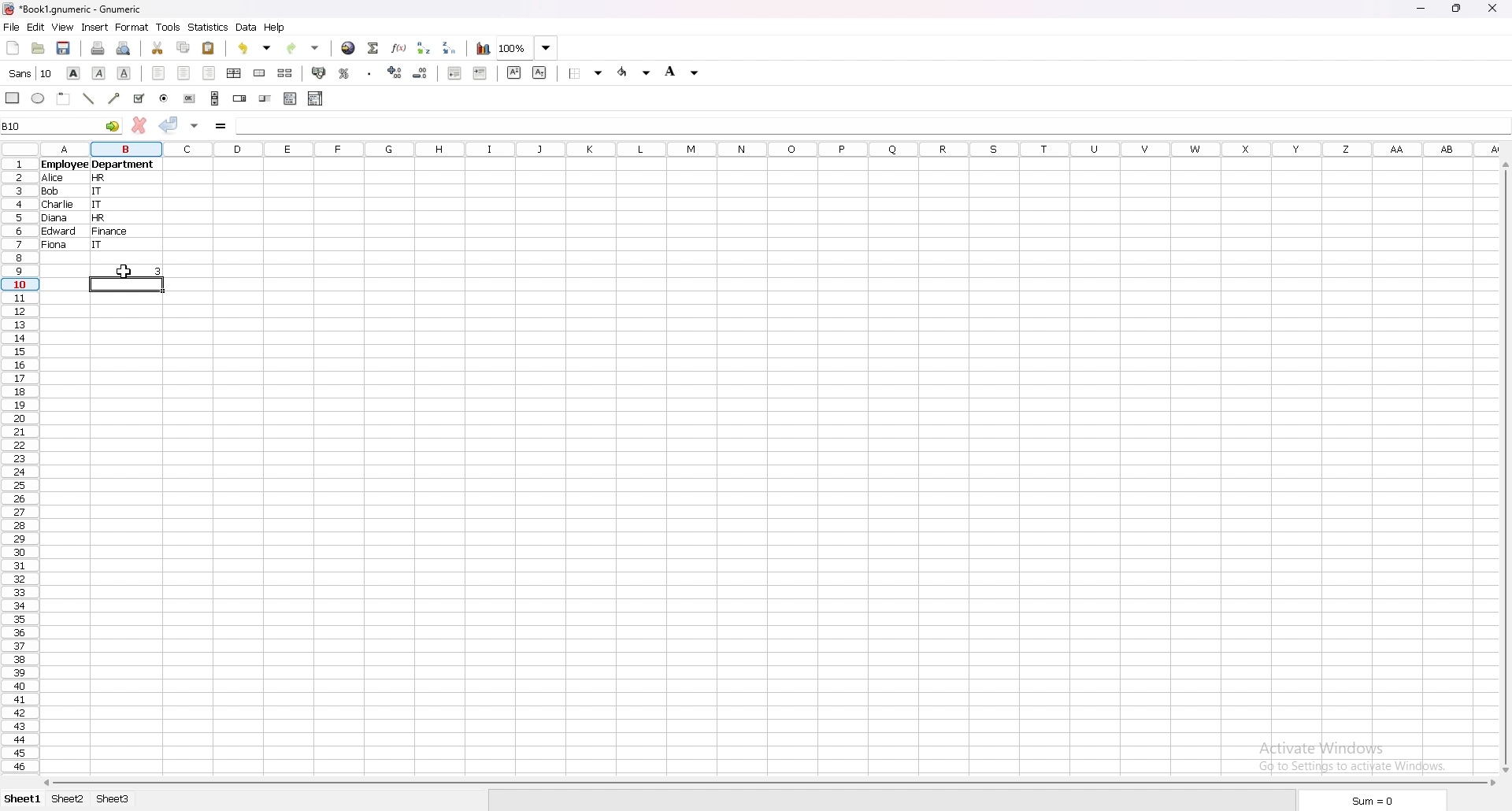 This screenshot has width=1512, height=811. I want to click on increase decimals, so click(397, 73).